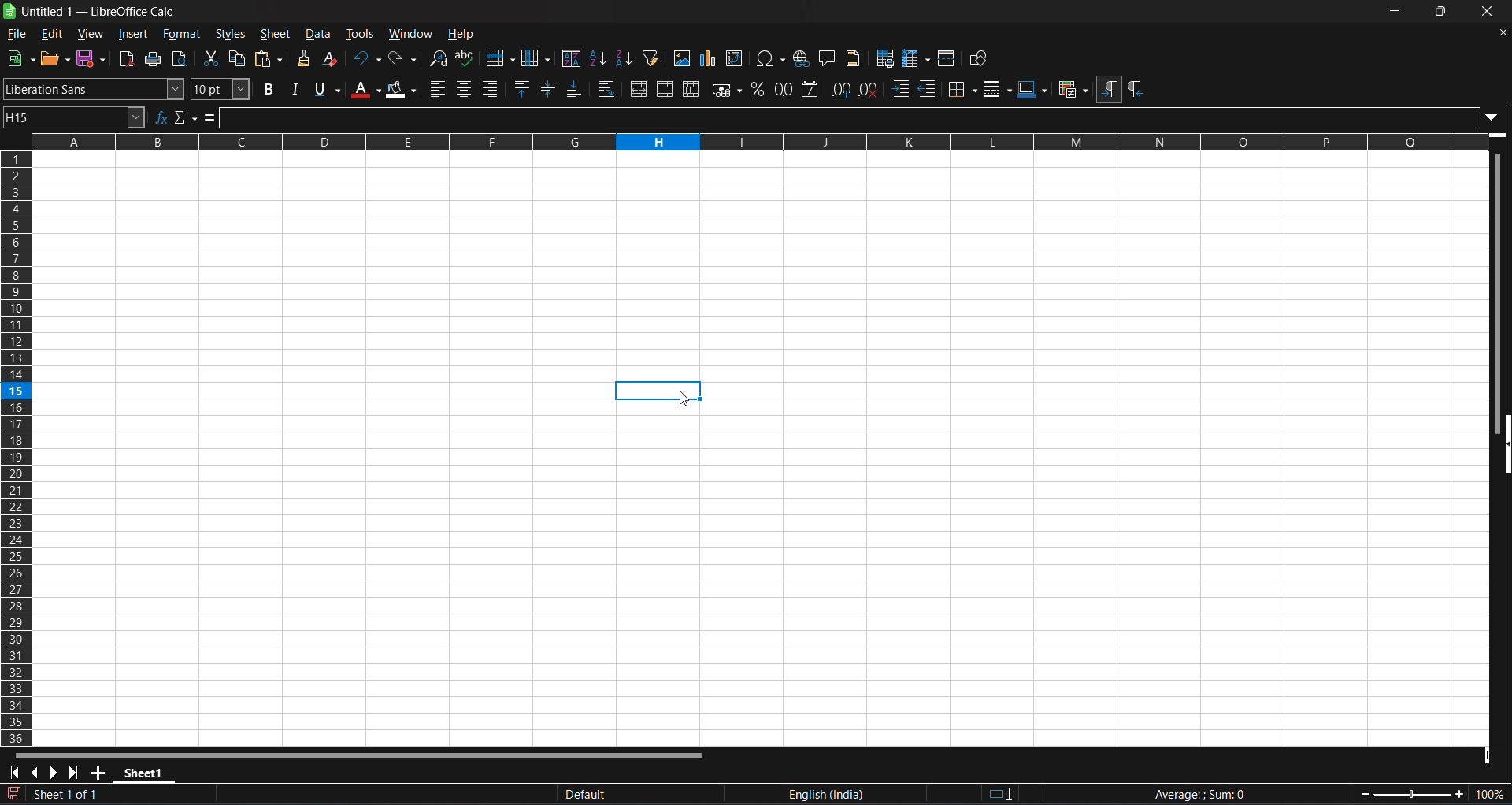 This screenshot has width=1512, height=805. I want to click on cell, so click(658, 391).